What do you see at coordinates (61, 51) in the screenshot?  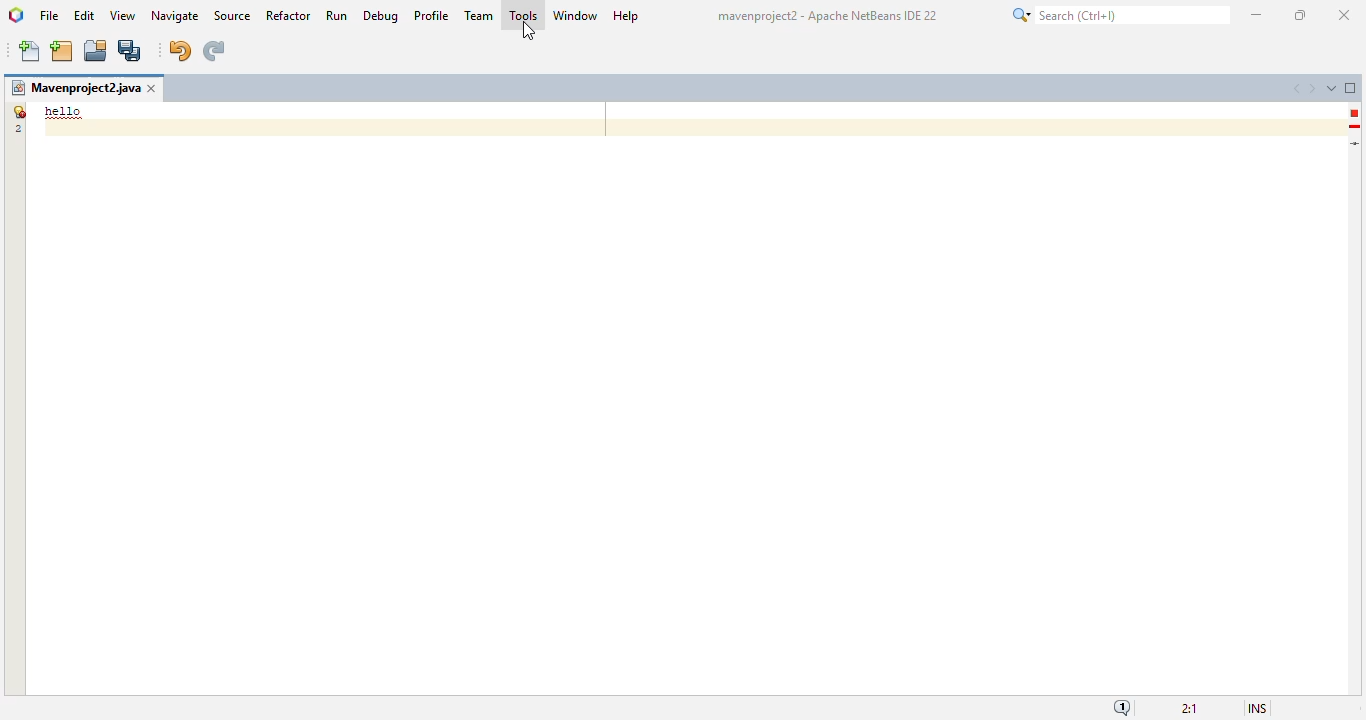 I see `new project` at bounding box center [61, 51].